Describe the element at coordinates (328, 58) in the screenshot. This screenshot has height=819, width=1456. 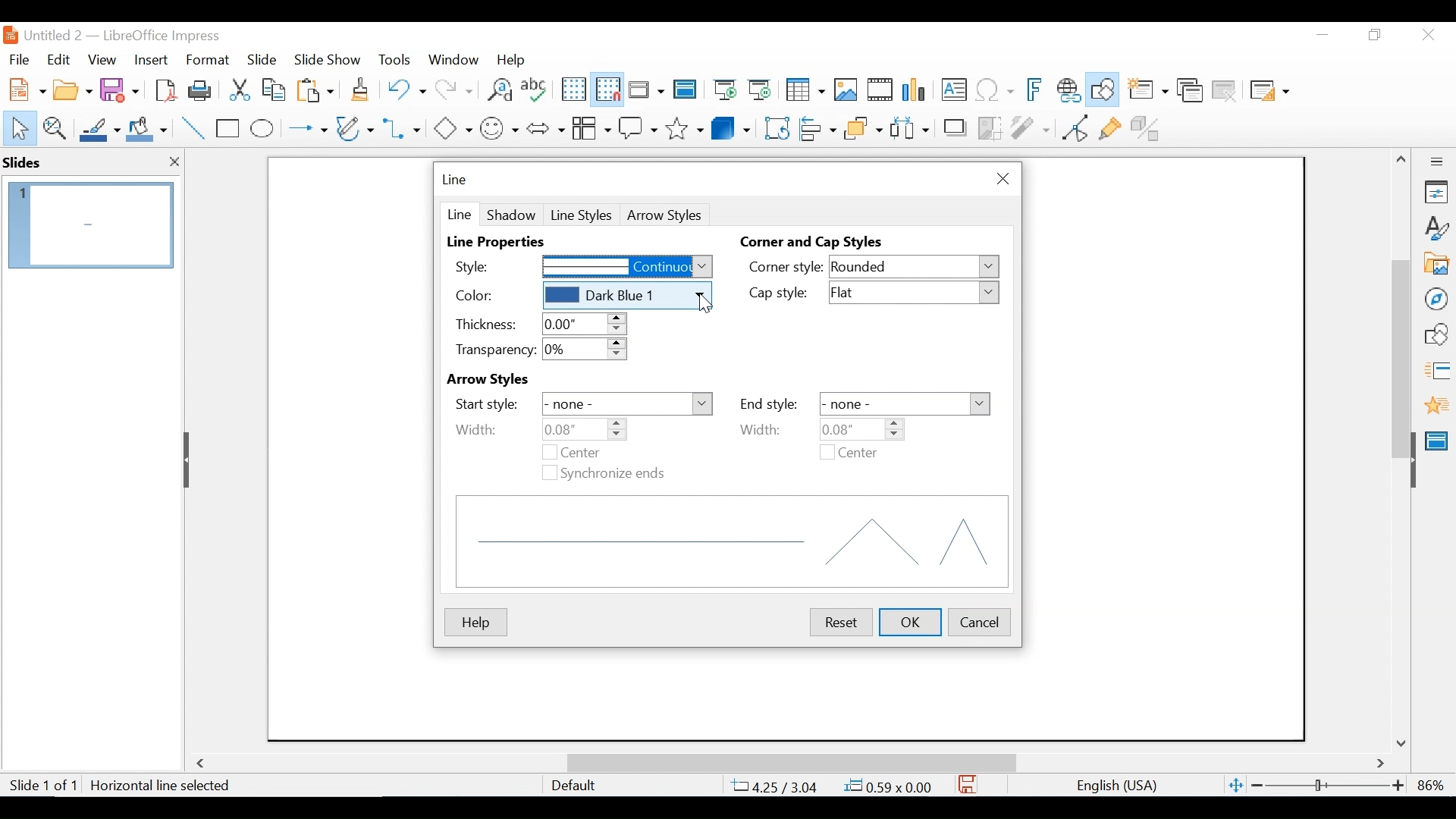
I see `Slide Show` at that location.